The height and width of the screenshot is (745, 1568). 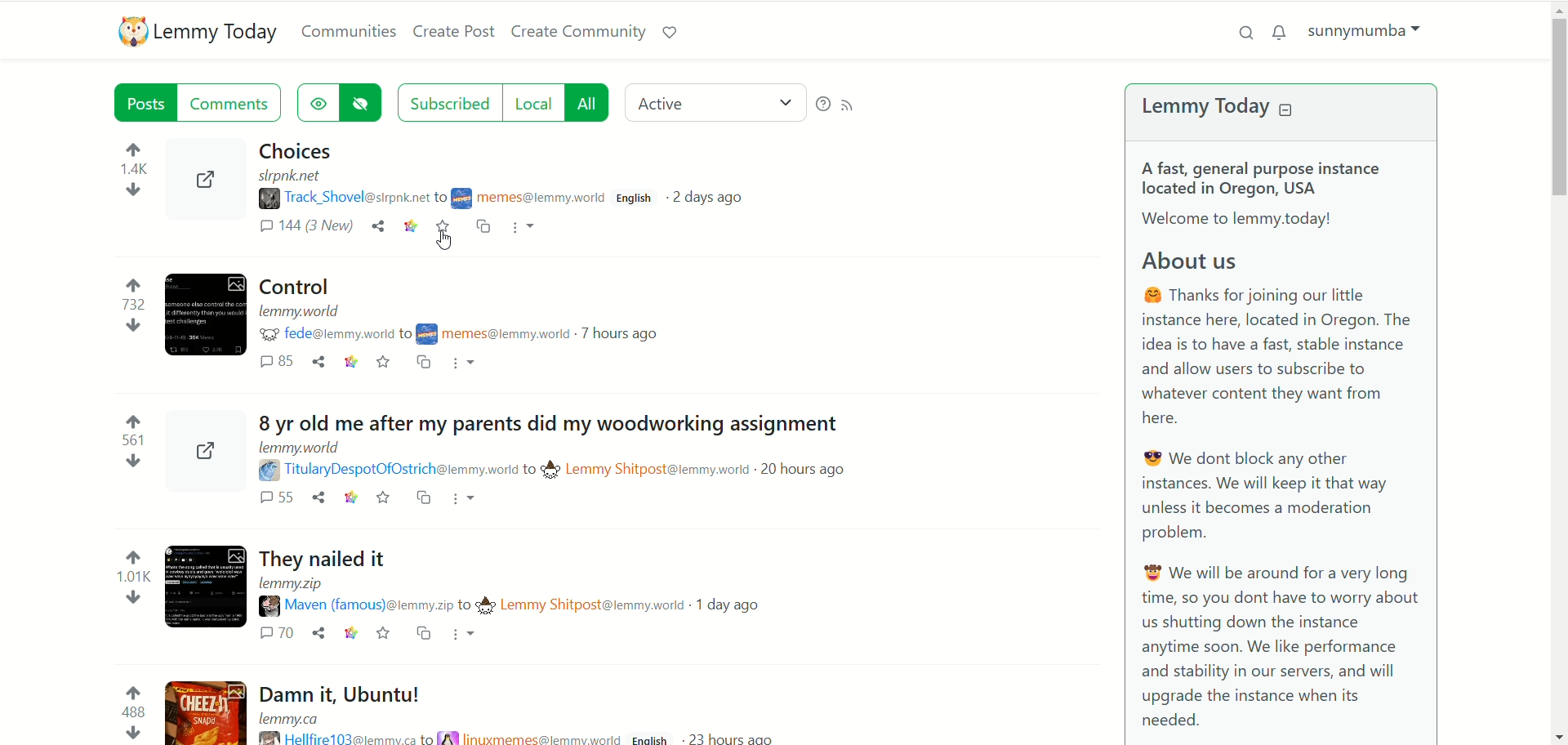 I want to click on save, so click(x=442, y=227).